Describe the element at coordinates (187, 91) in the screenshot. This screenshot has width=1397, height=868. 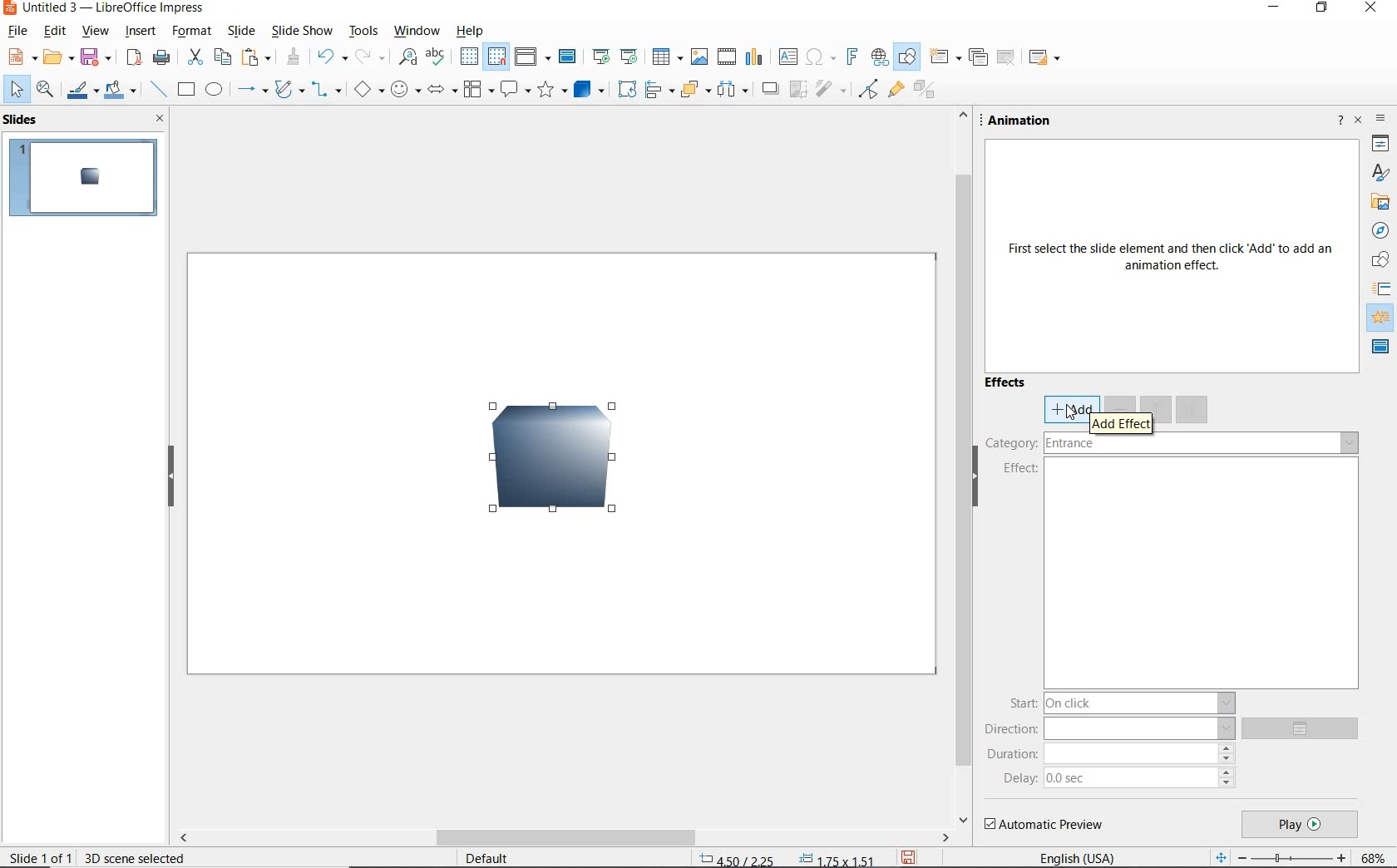
I see `rectangle` at that location.